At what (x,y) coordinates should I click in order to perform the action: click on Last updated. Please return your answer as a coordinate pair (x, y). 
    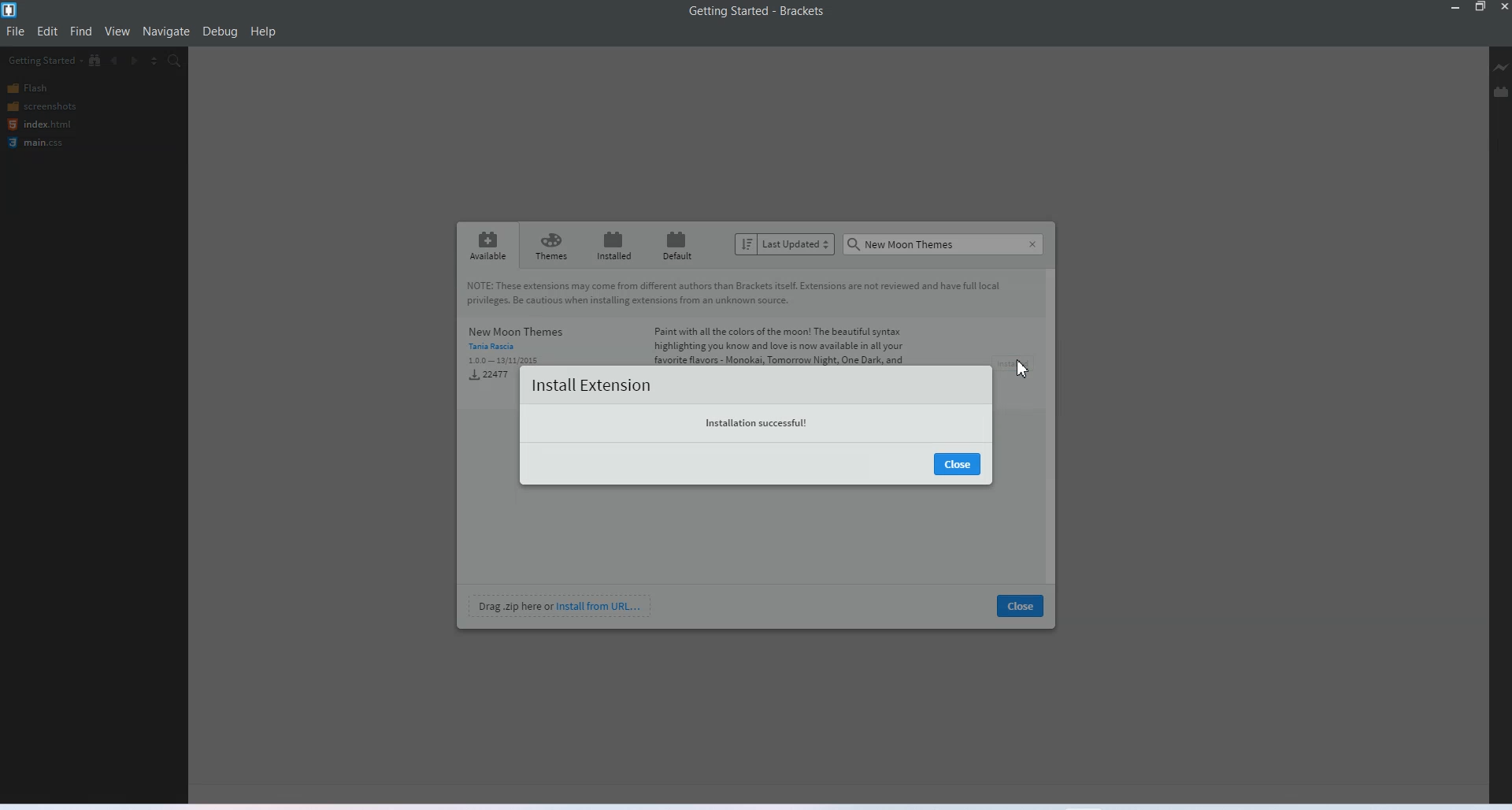
    Looking at the image, I should click on (785, 243).